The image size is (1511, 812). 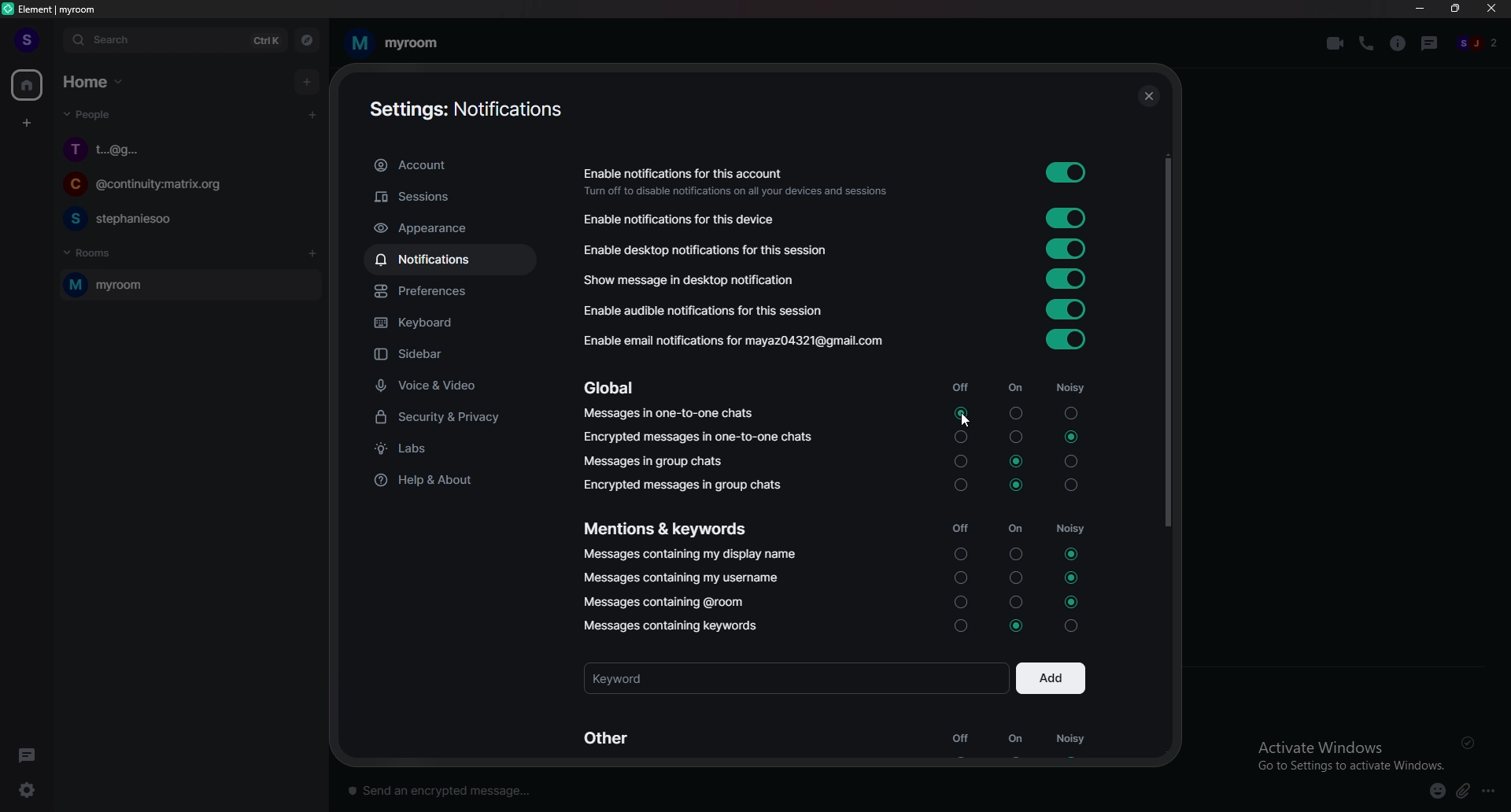 What do you see at coordinates (962, 383) in the screenshot?
I see `off` at bounding box center [962, 383].